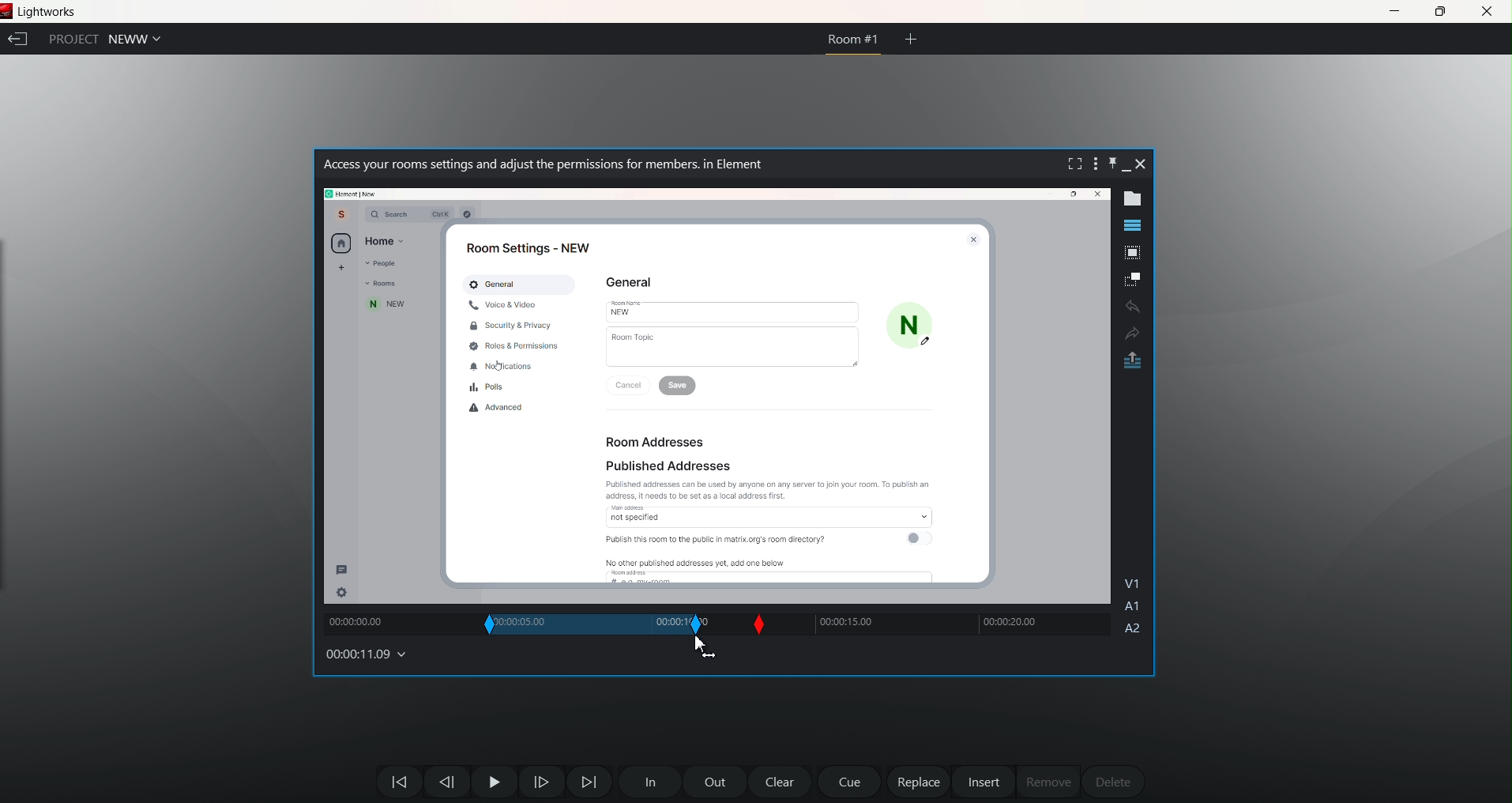  I want to click on General, so click(495, 284).